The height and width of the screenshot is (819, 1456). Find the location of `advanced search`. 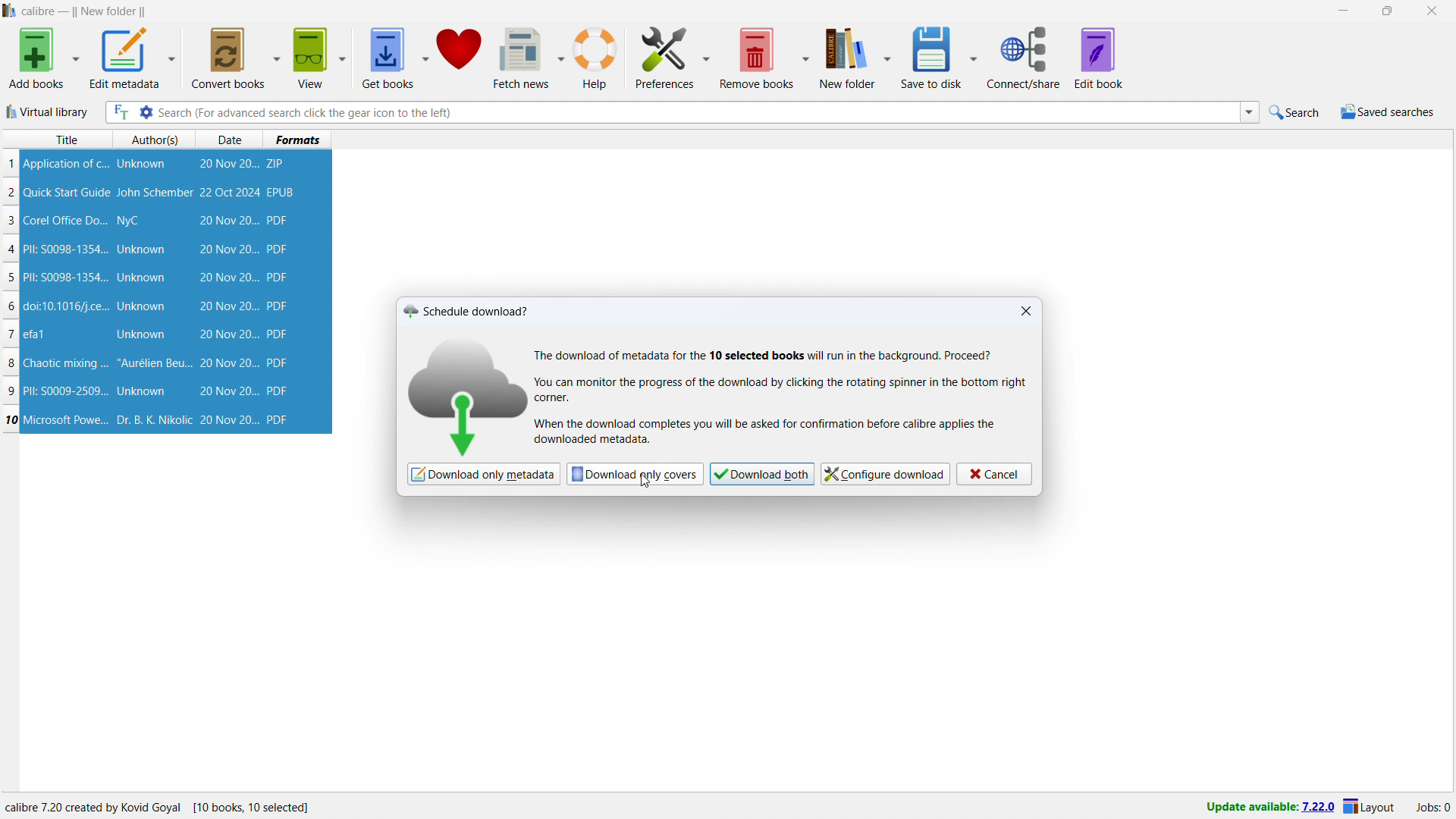

advanced search is located at coordinates (146, 111).